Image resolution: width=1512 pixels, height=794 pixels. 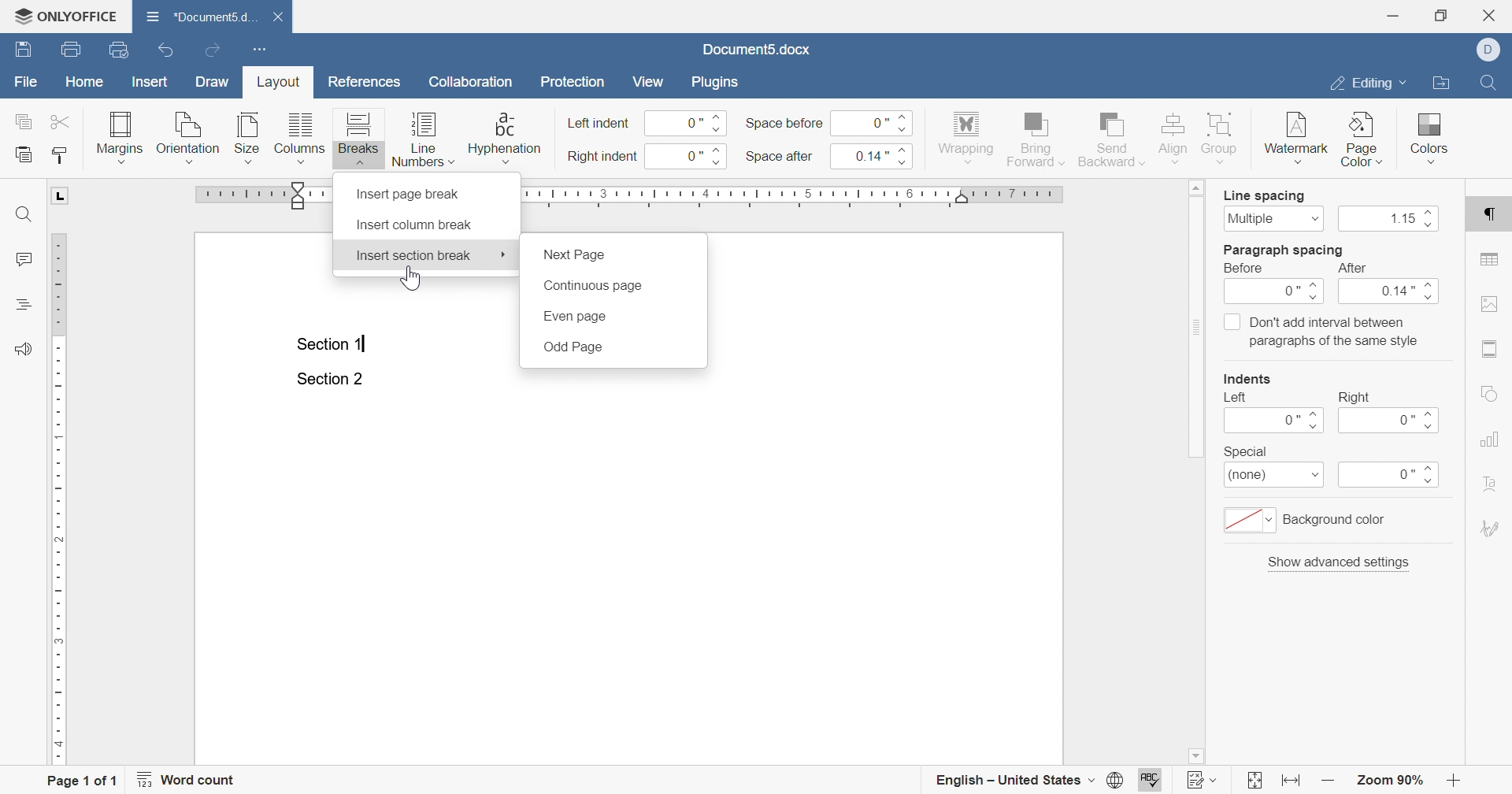 What do you see at coordinates (333, 345) in the screenshot?
I see `section 1` at bounding box center [333, 345].